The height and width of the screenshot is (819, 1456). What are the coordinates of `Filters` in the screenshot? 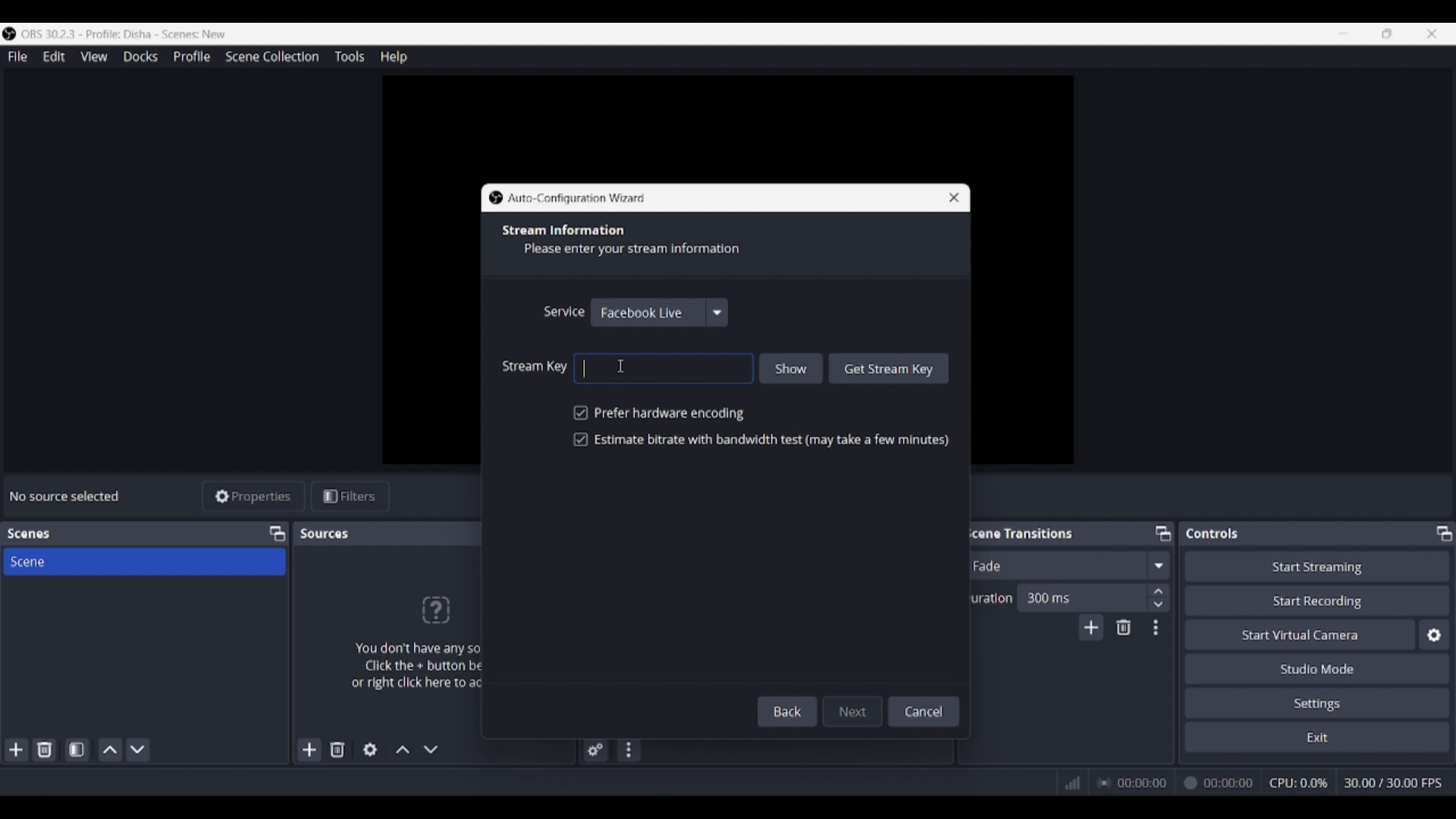 It's located at (350, 497).